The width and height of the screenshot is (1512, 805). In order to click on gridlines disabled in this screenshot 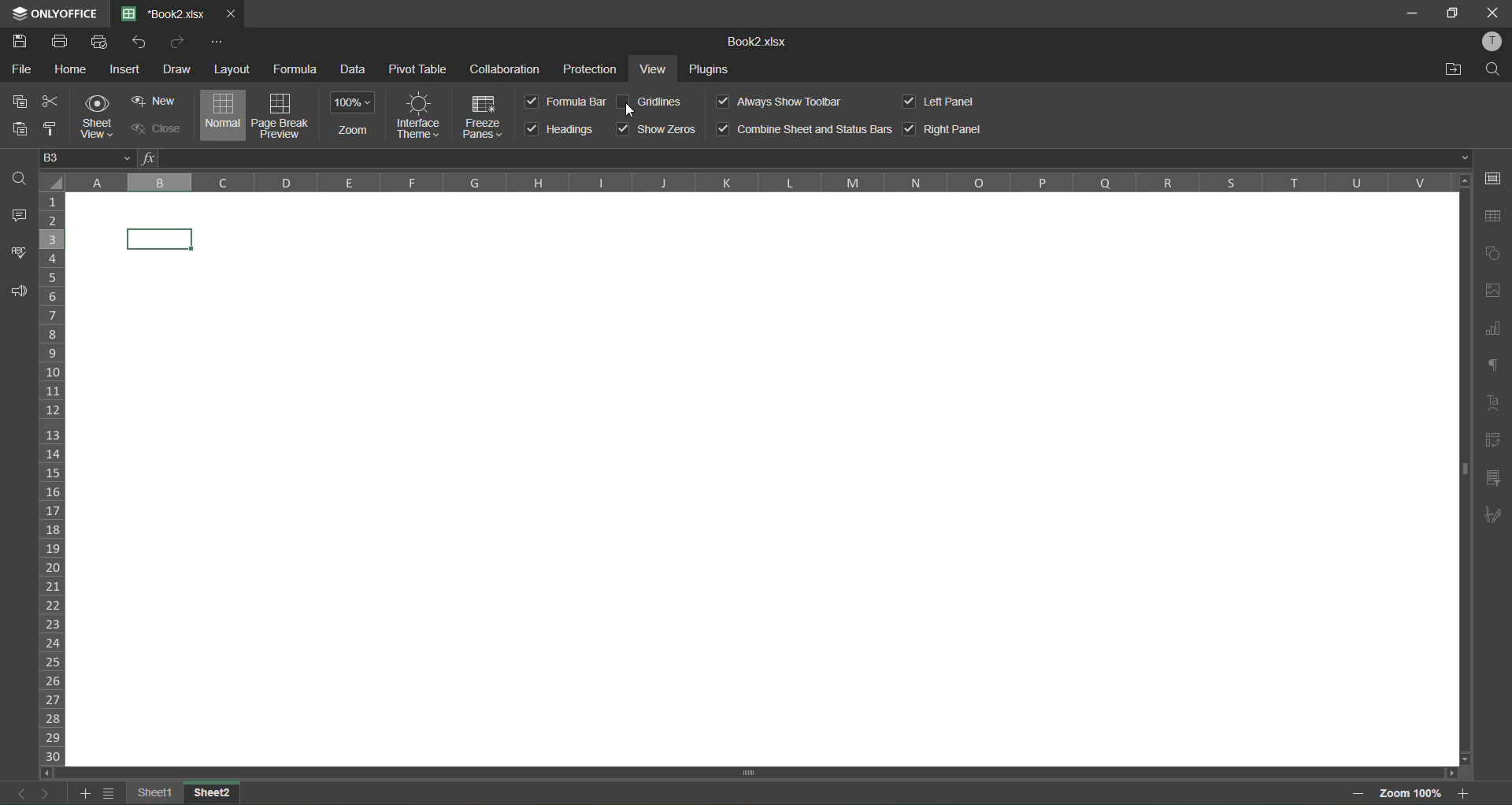, I will do `click(762, 478)`.